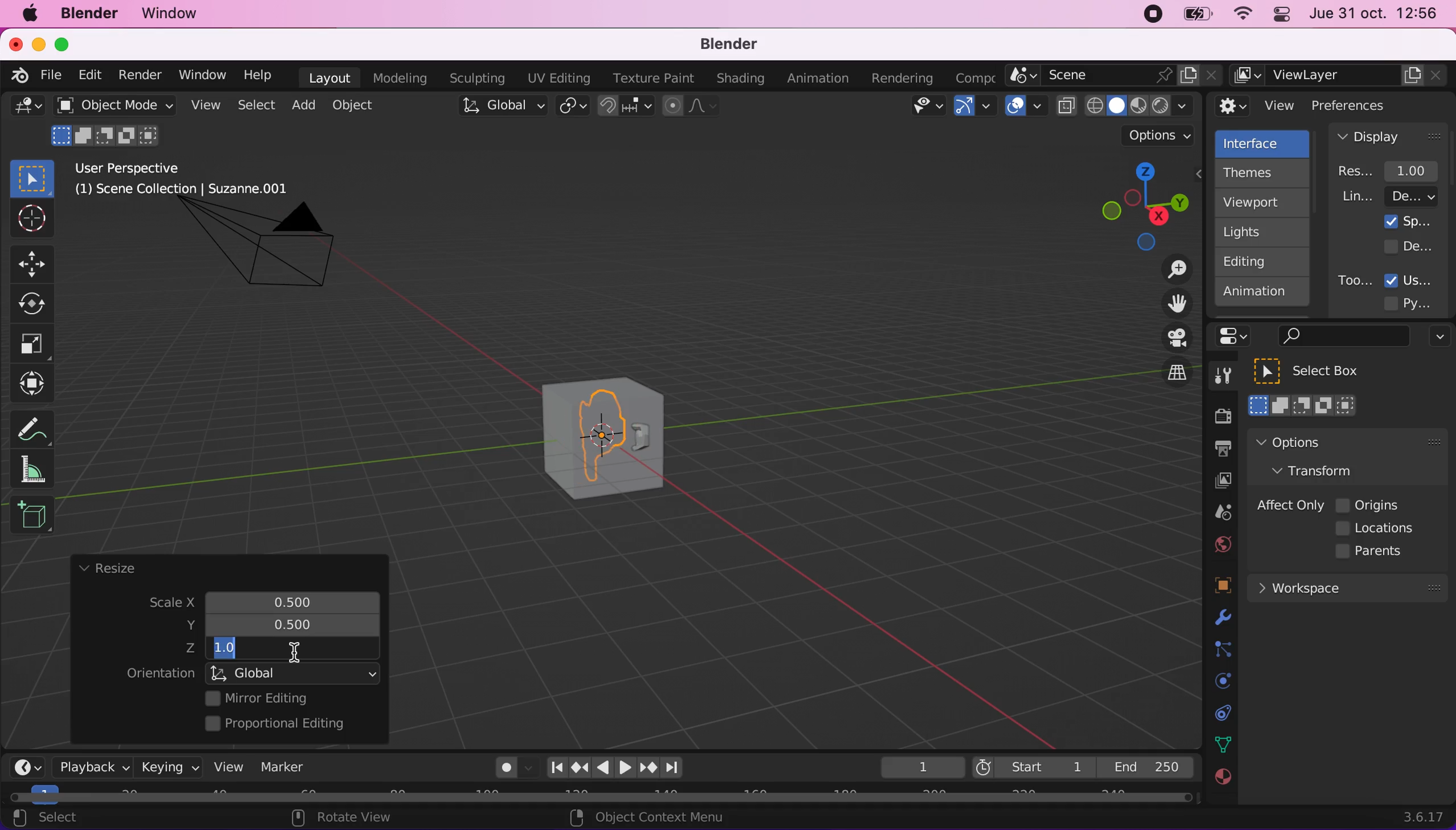 Image resolution: width=1456 pixels, height=830 pixels. I want to click on file, so click(49, 75).